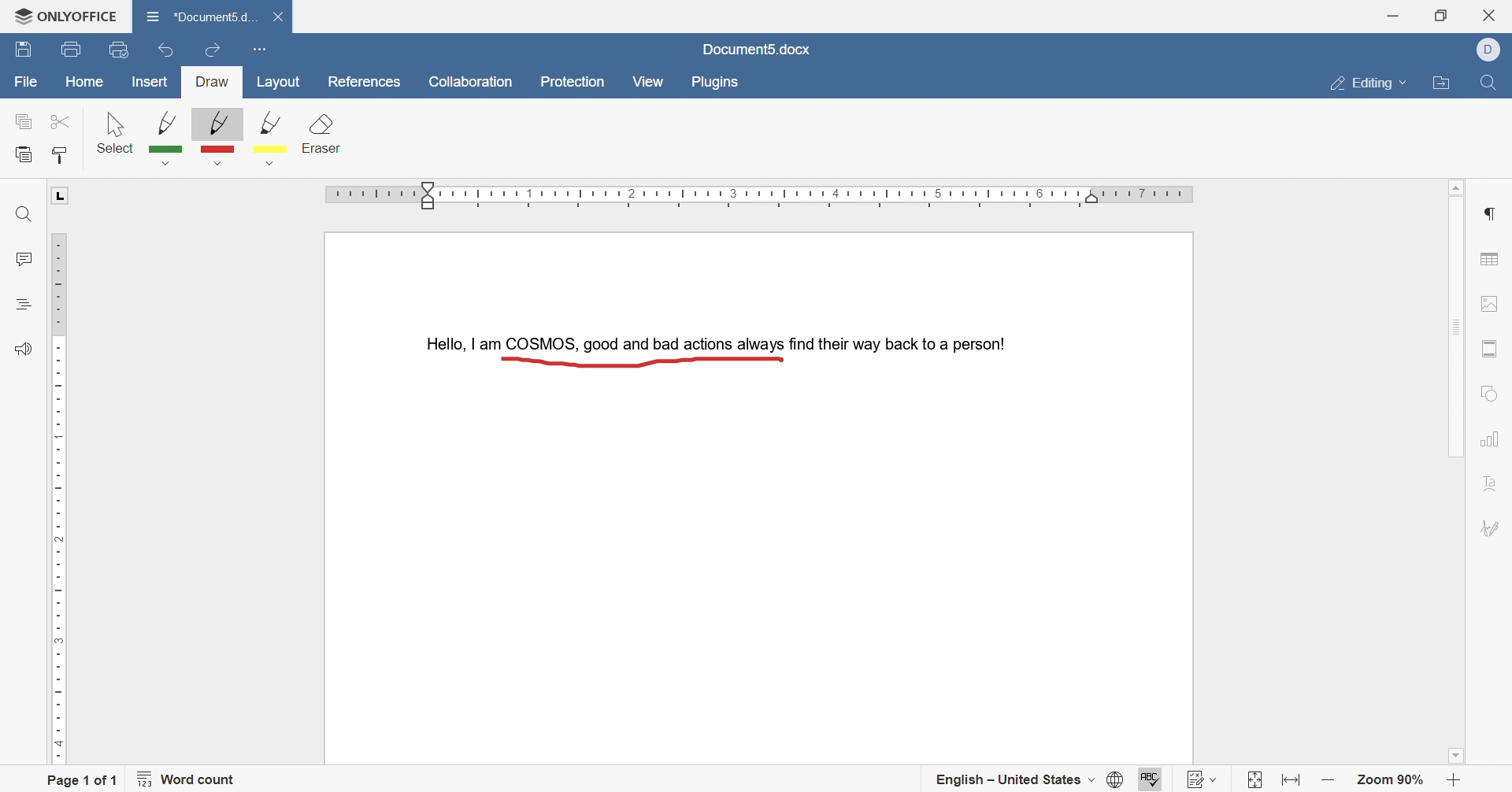 The height and width of the screenshot is (792, 1512). Describe the element at coordinates (1495, 13) in the screenshot. I see `close` at that location.